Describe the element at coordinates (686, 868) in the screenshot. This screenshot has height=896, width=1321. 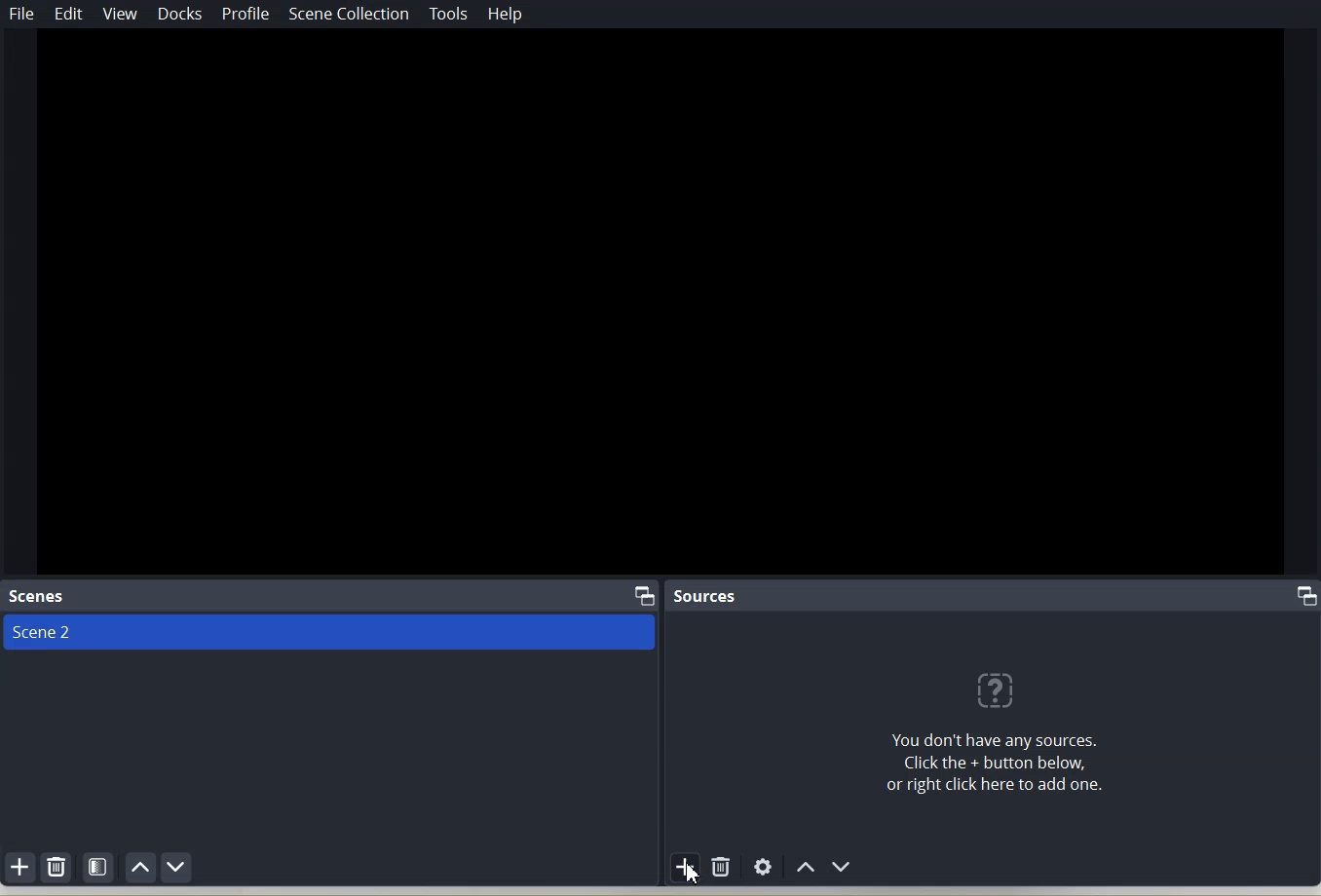
I see `Add source` at that location.